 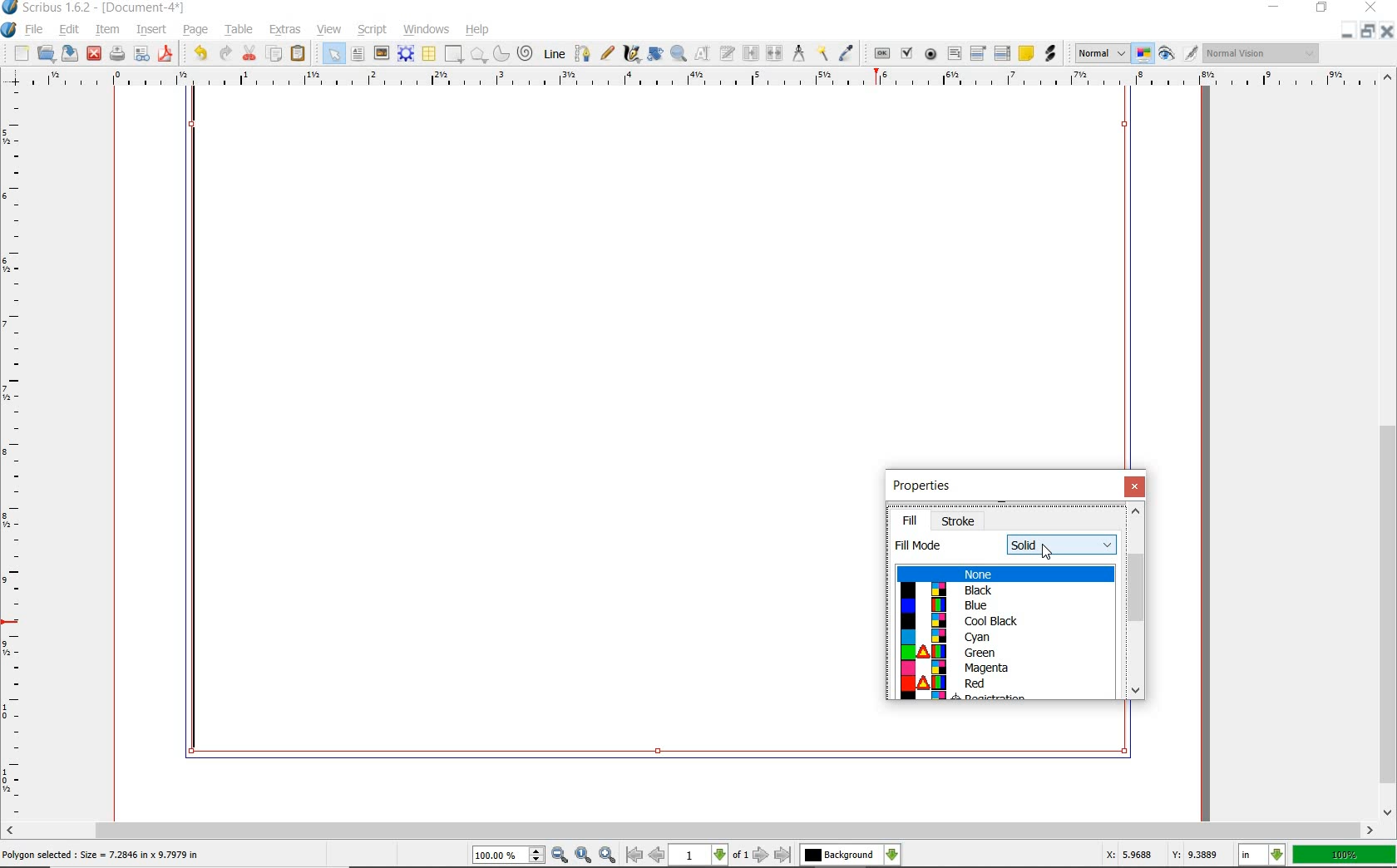 What do you see at coordinates (329, 30) in the screenshot?
I see `view` at bounding box center [329, 30].